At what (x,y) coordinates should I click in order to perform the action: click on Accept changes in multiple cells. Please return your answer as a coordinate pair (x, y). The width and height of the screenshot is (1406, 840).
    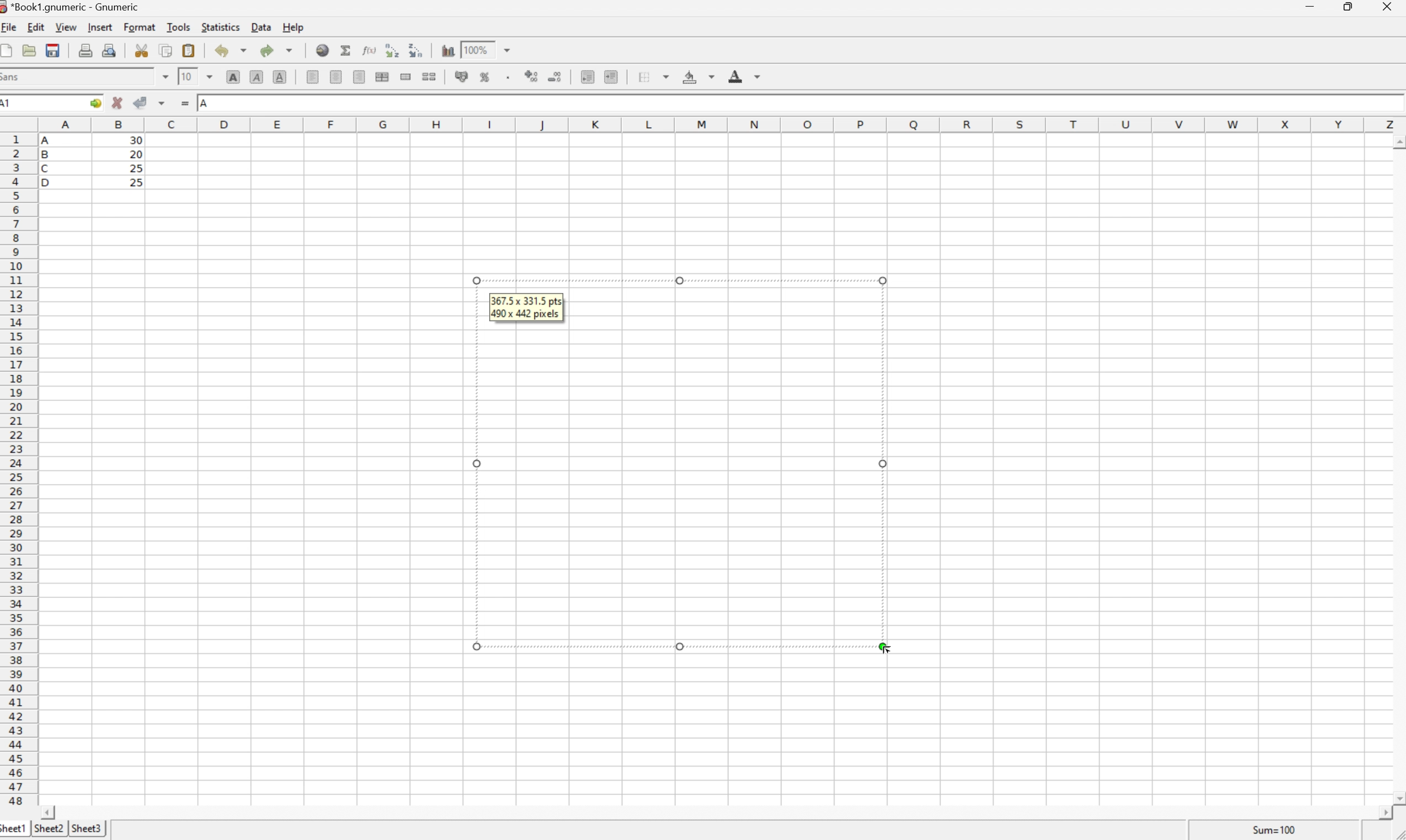
    Looking at the image, I should click on (163, 101).